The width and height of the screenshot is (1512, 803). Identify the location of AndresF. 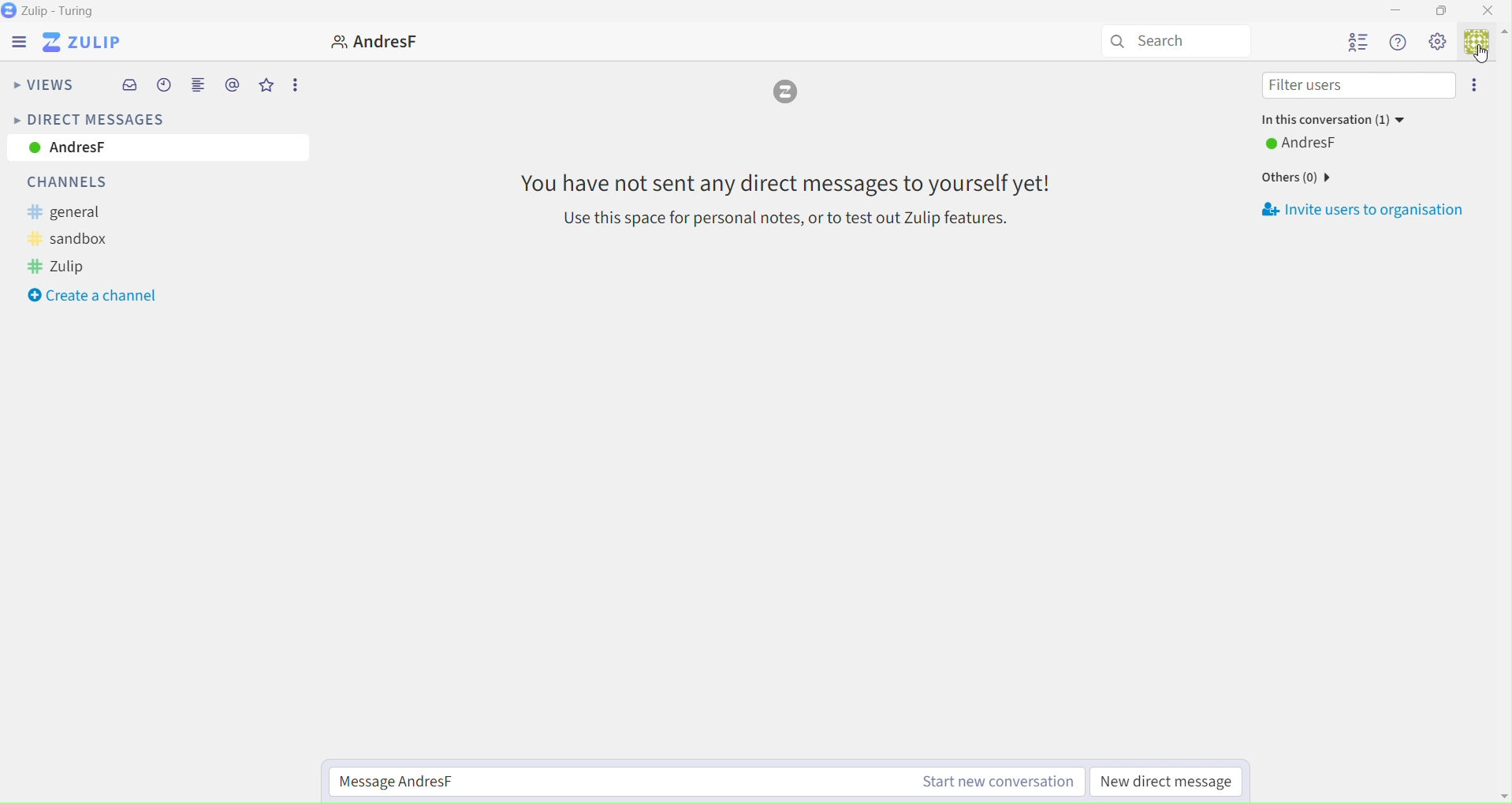
(1320, 142).